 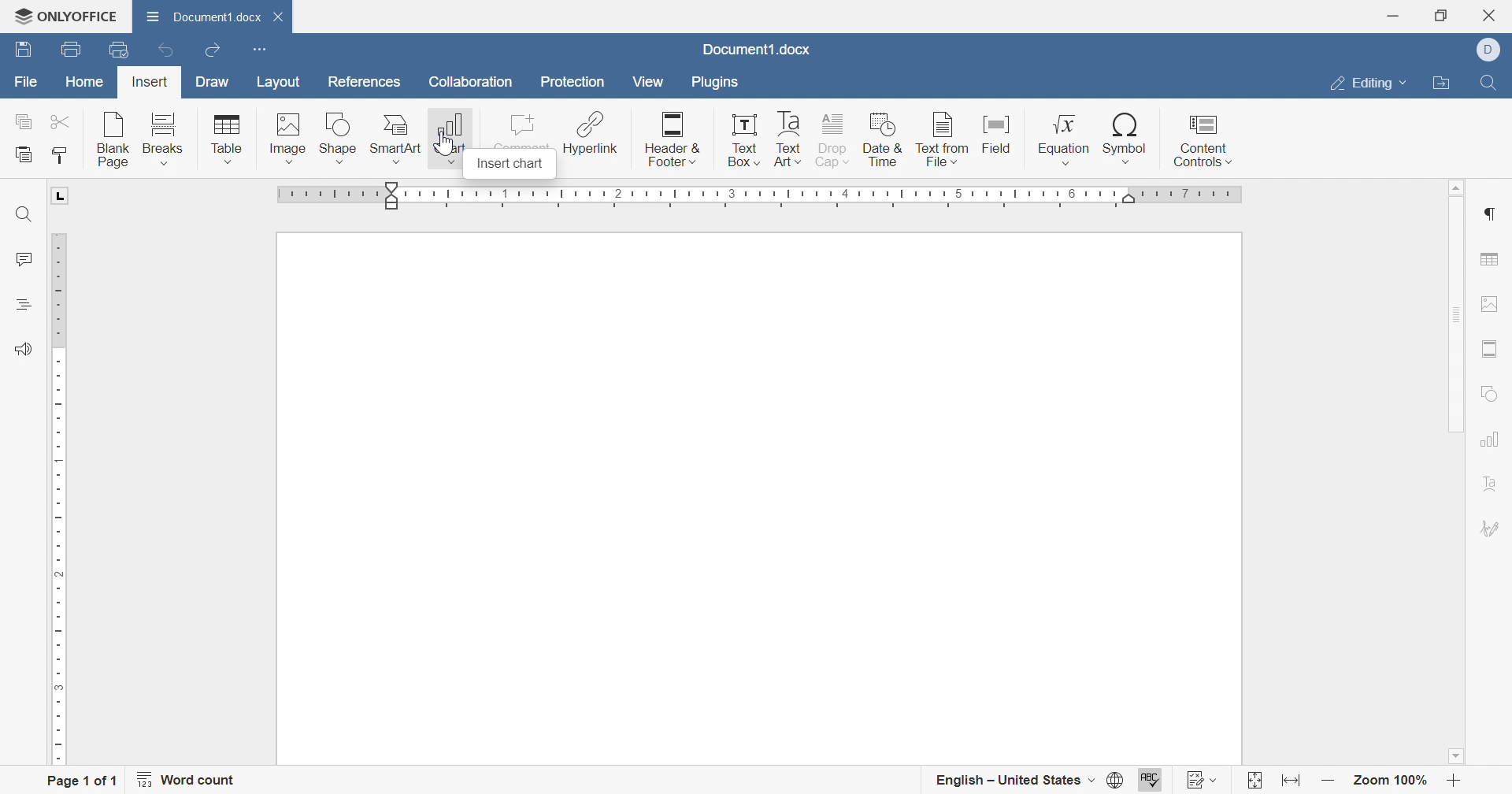 What do you see at coordinates (471, 84) in the screenshot?
I see `Collaboration` at bounding box center [471, 84].